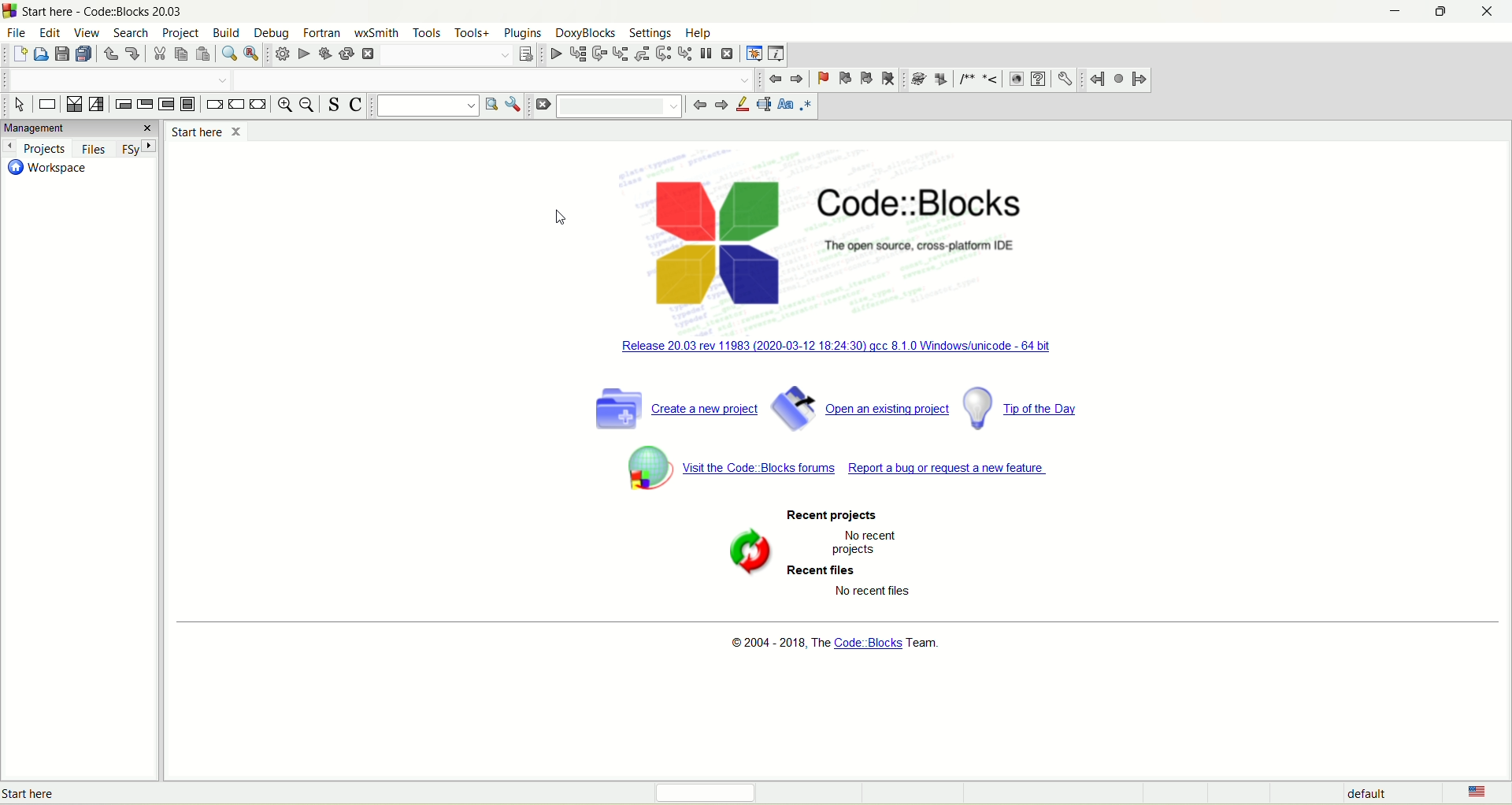 Image resolution: width=1512 pixels, height=805 pixels. What do you see at coordinates (871, 462) in the screenshot?
I see `report a bug` at bounding box center [871, 462].